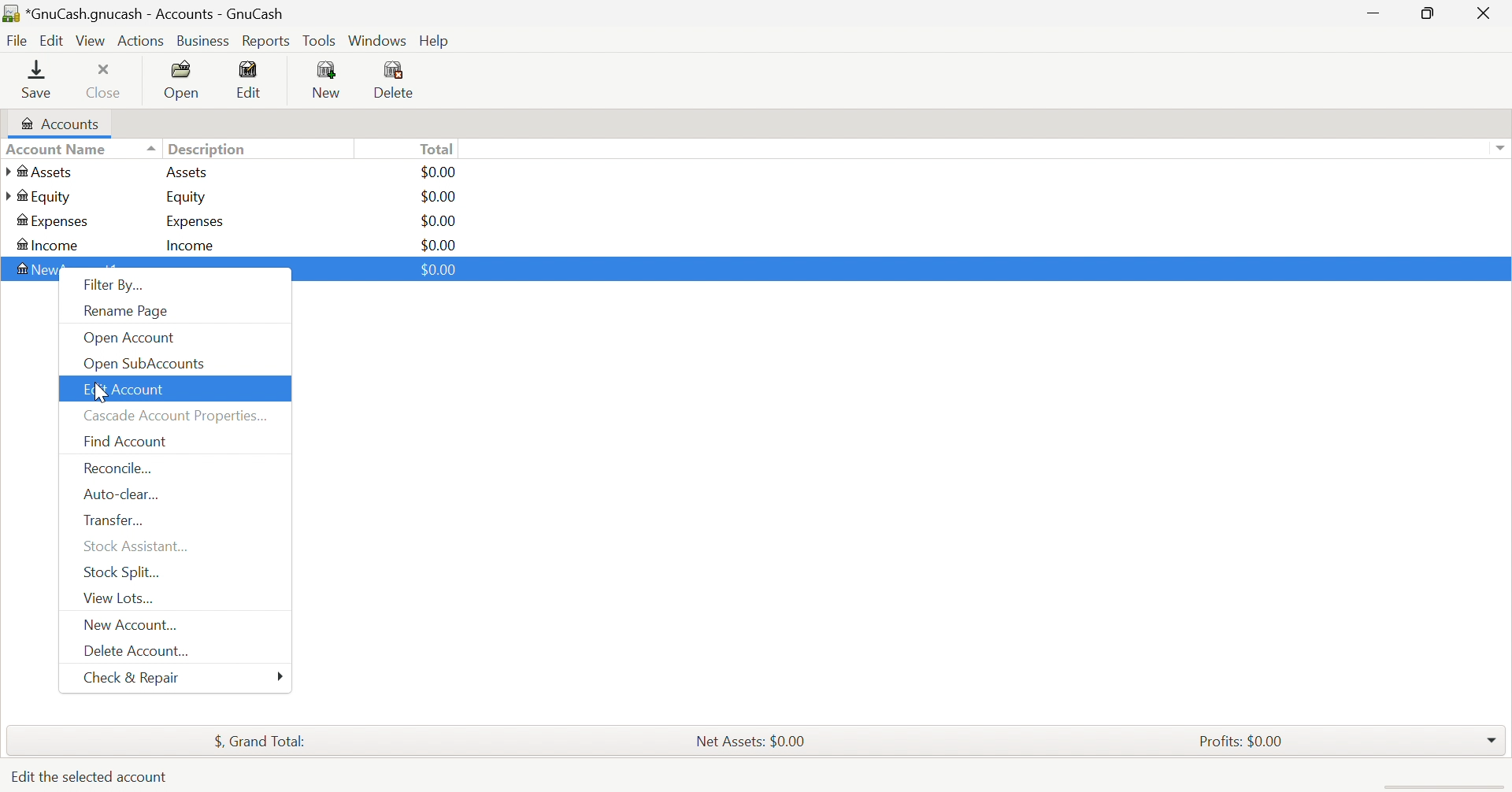  What do you see at coordinates (127, 390) in the screenshot?
I see `Edit Account` at bounding box center [127, 390].